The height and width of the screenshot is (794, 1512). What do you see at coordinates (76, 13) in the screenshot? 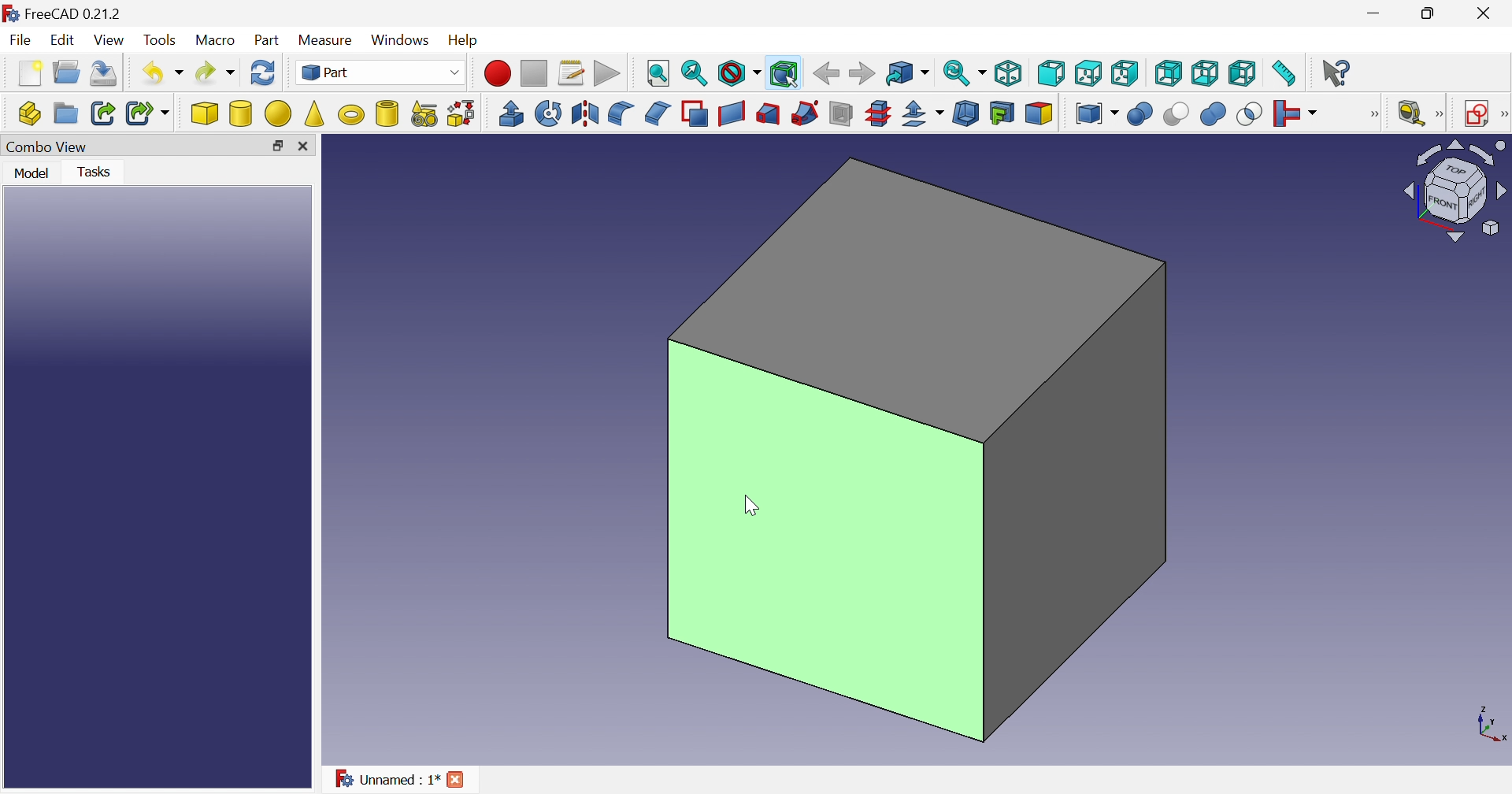
I see `FreeCAD 0.21.2` at bounding box center [76, 13].